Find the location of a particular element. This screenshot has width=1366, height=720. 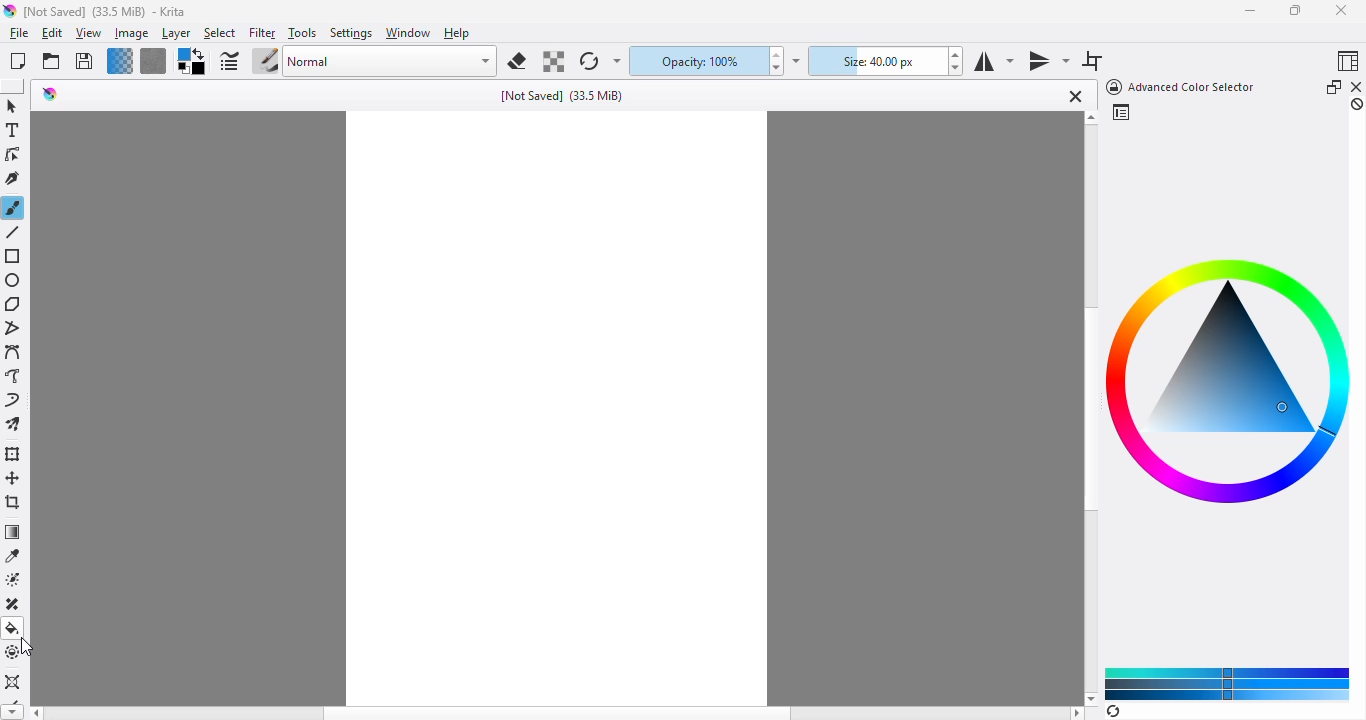

settings is located at coordinates (352, 34).